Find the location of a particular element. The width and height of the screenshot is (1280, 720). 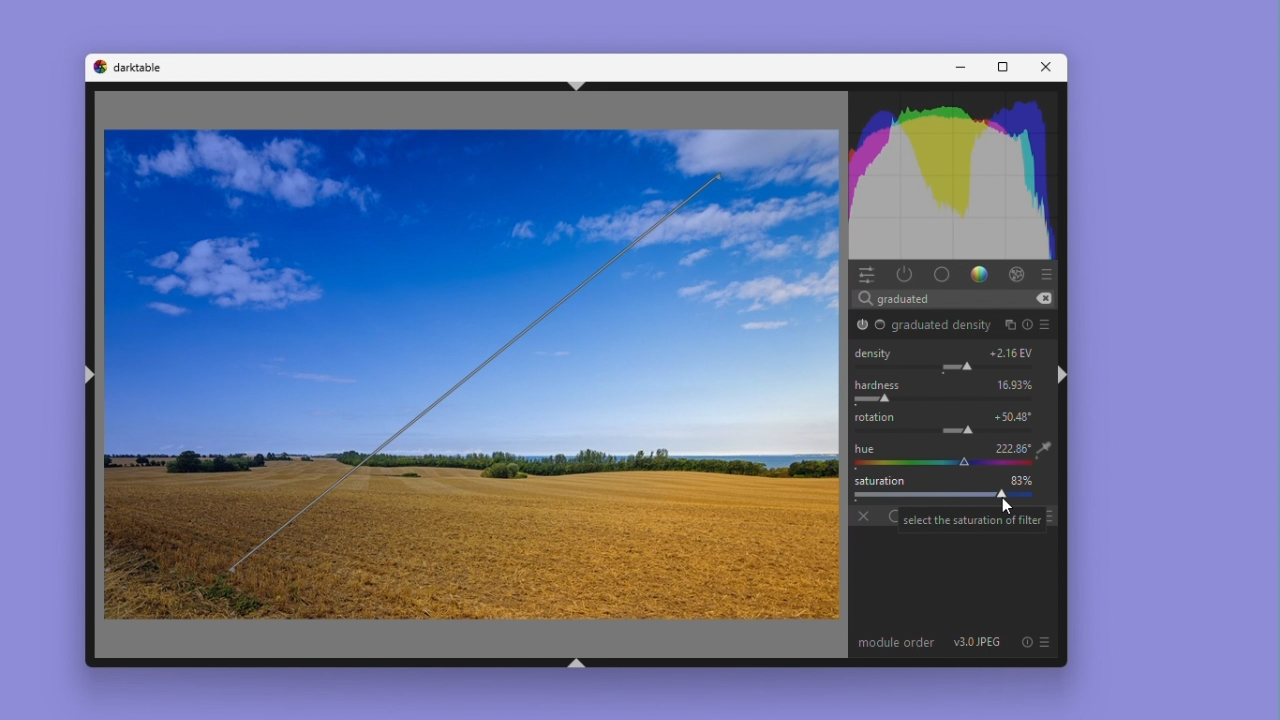

Saturation is located at coordinates (878, 481).